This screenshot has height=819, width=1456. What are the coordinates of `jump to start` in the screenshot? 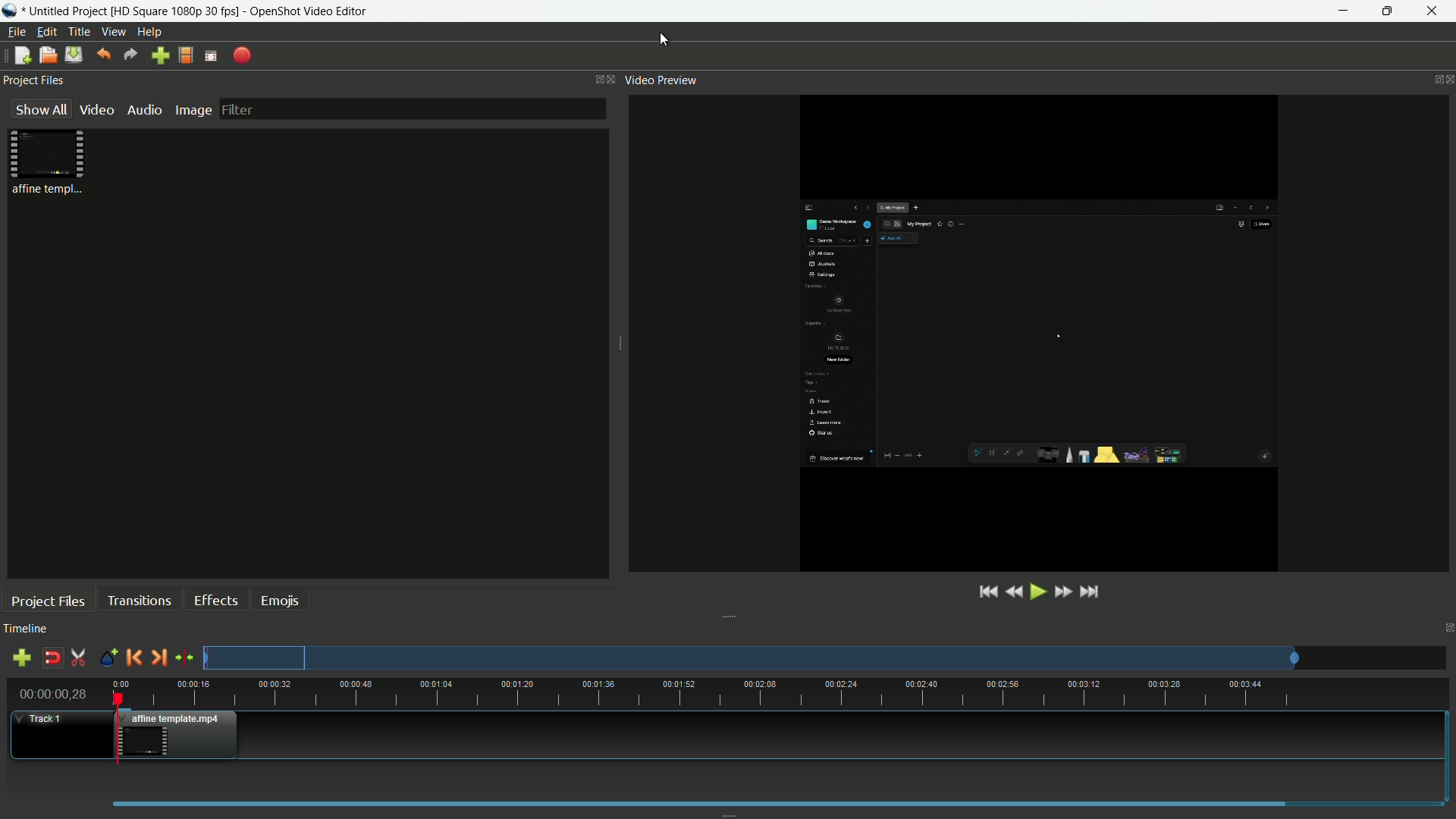 It's located at (990, 592).